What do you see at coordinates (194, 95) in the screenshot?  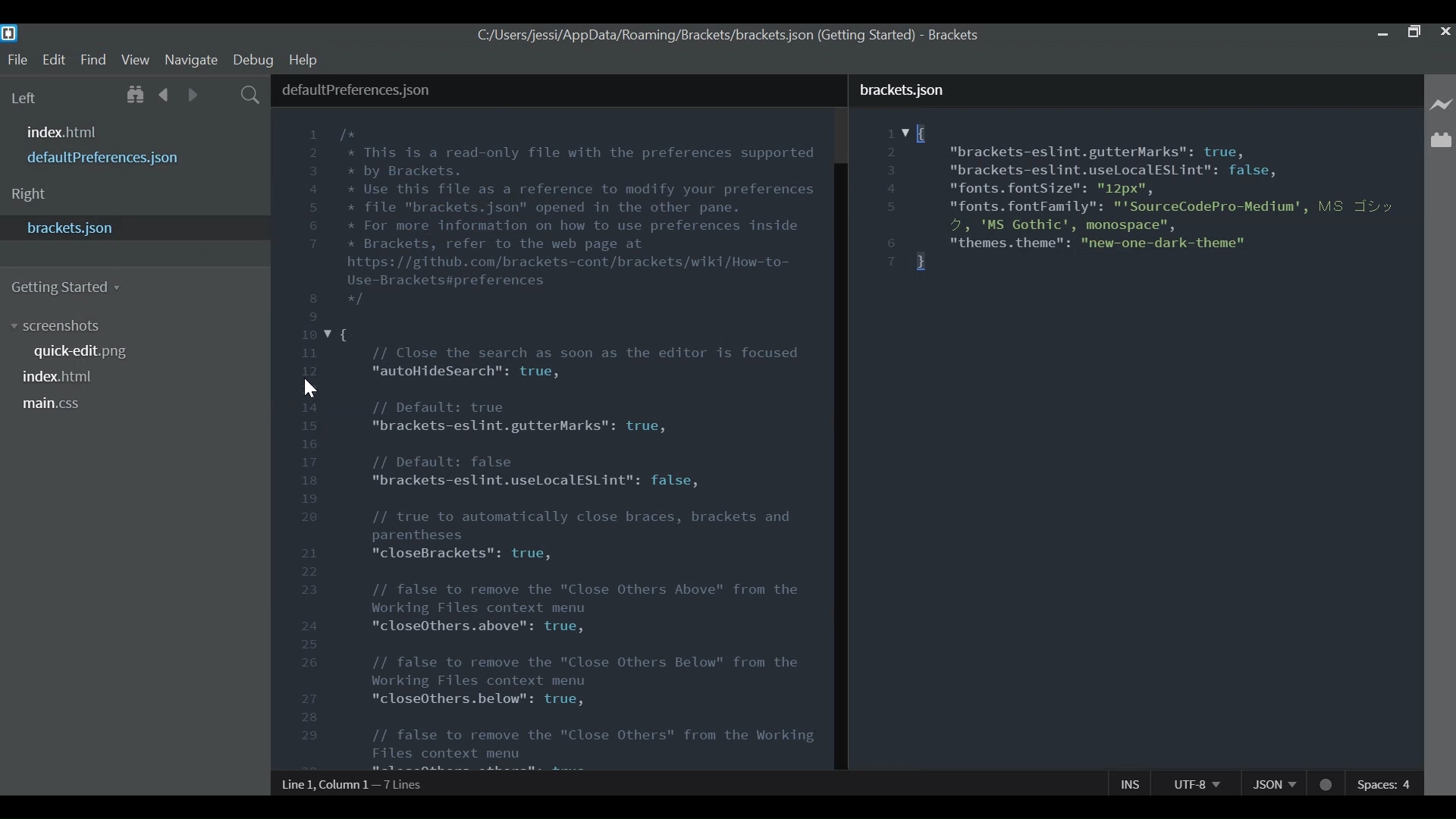 I see `Navigate Forward` at bounding box center [194, 95].